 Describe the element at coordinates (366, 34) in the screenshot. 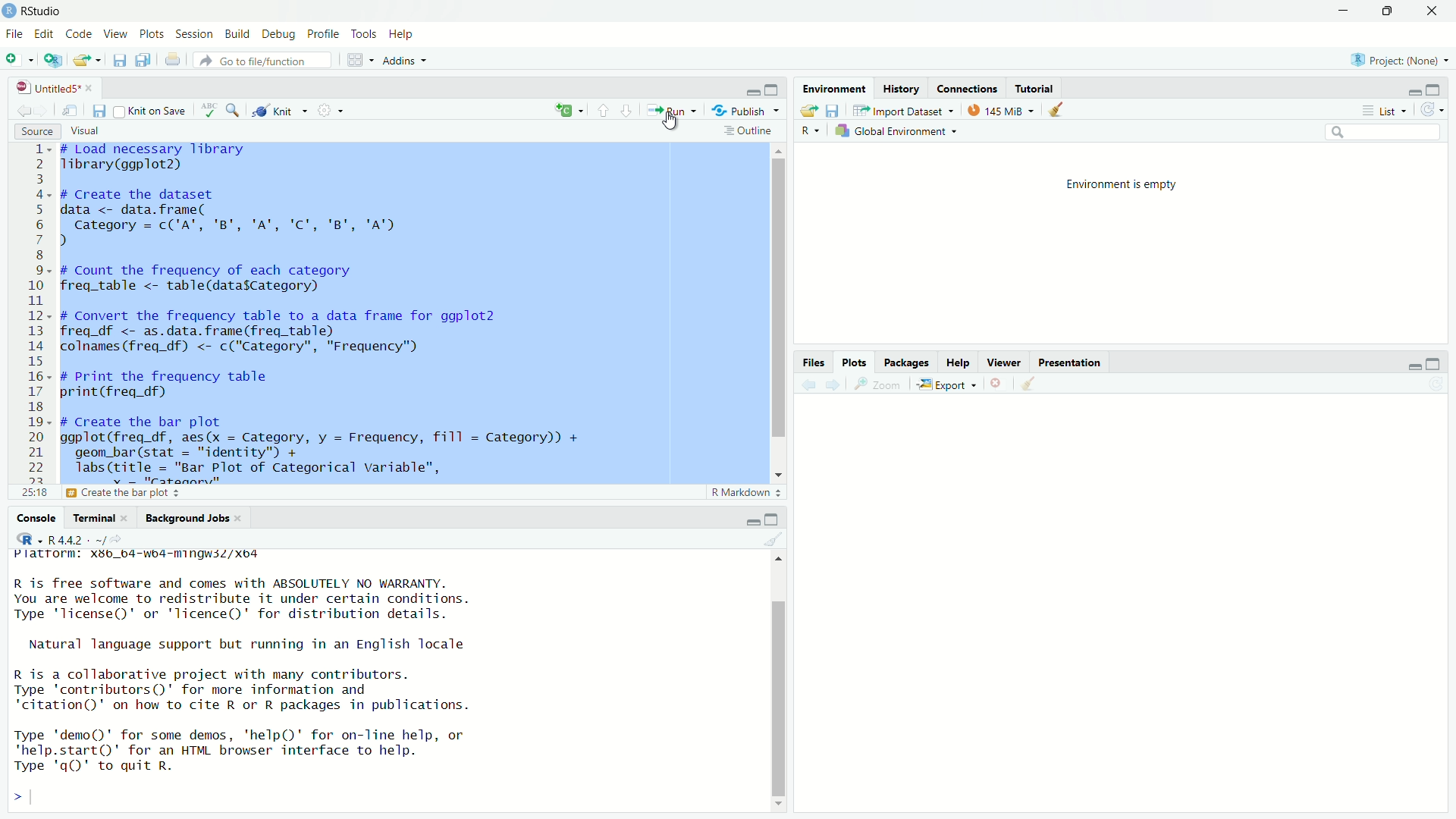

I see `tools` at that location.